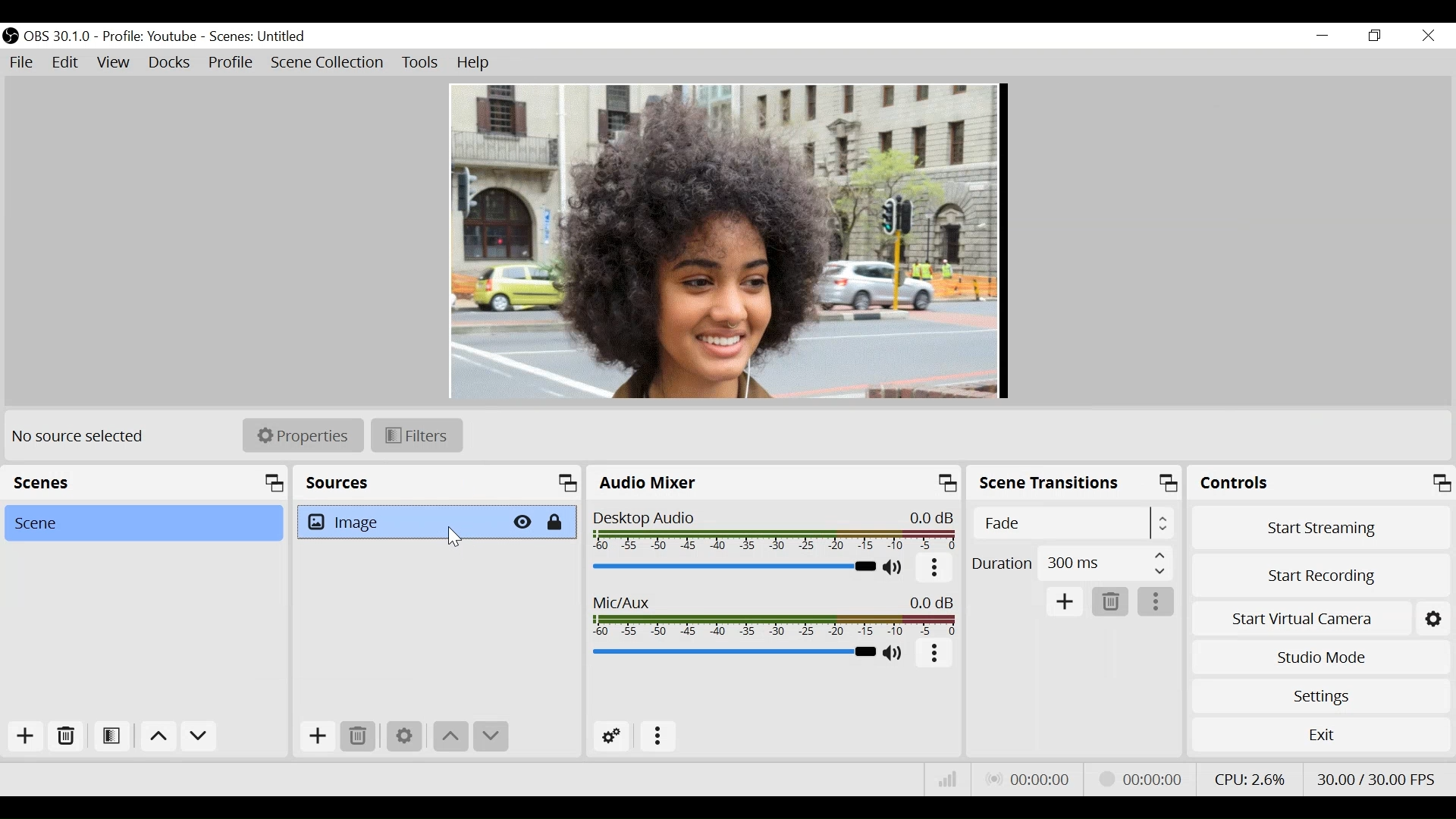 This screenshot has height=819, width=1456. What do you see at coordinates (261, 37) in the screenshot?
I see `Scenes: Untitled` at bounding box center [261, 37].